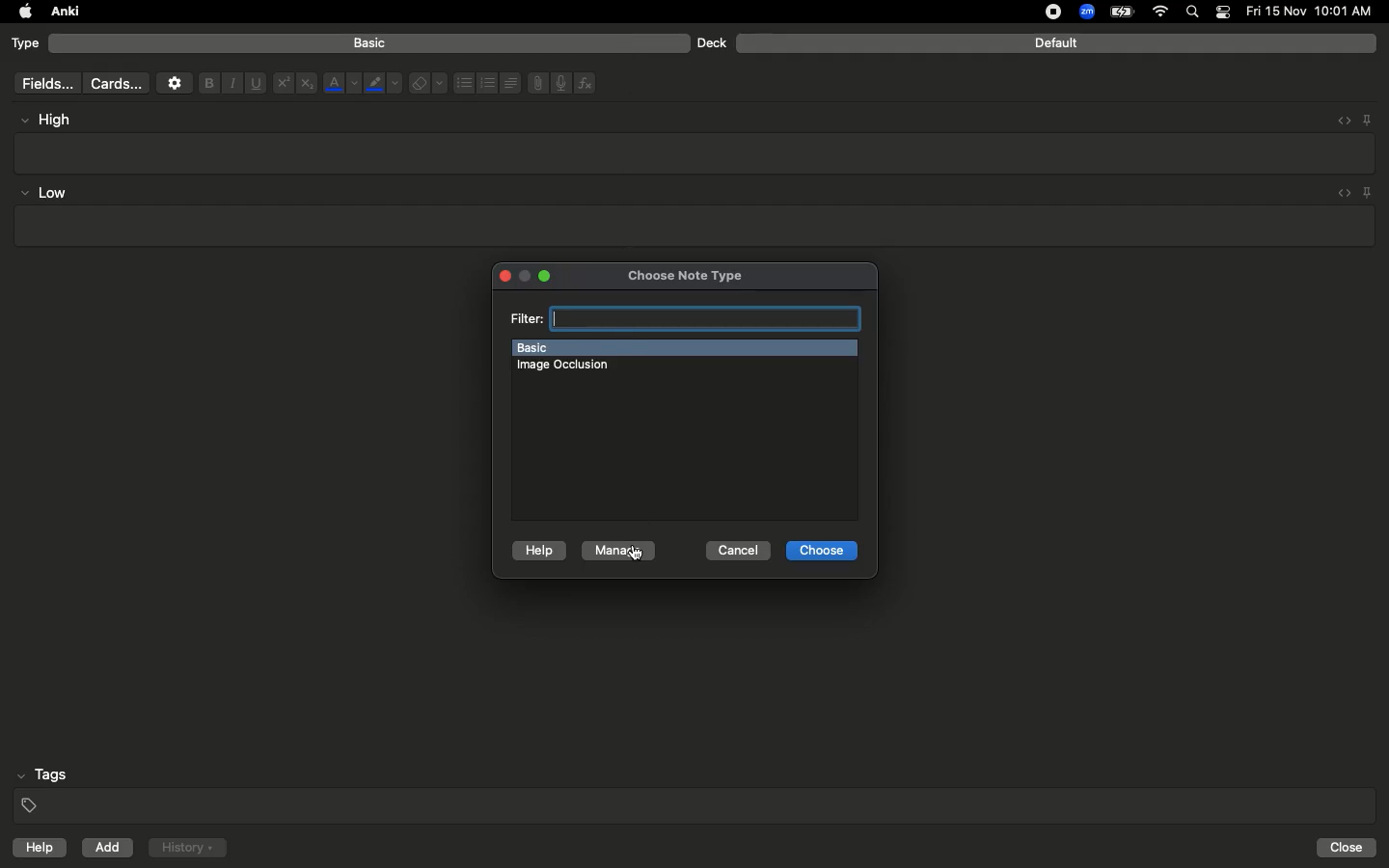  What do you see at coordinates (559, 81) in the screenshot?
I see `Voice recorder` at bounding box center [559, 81].